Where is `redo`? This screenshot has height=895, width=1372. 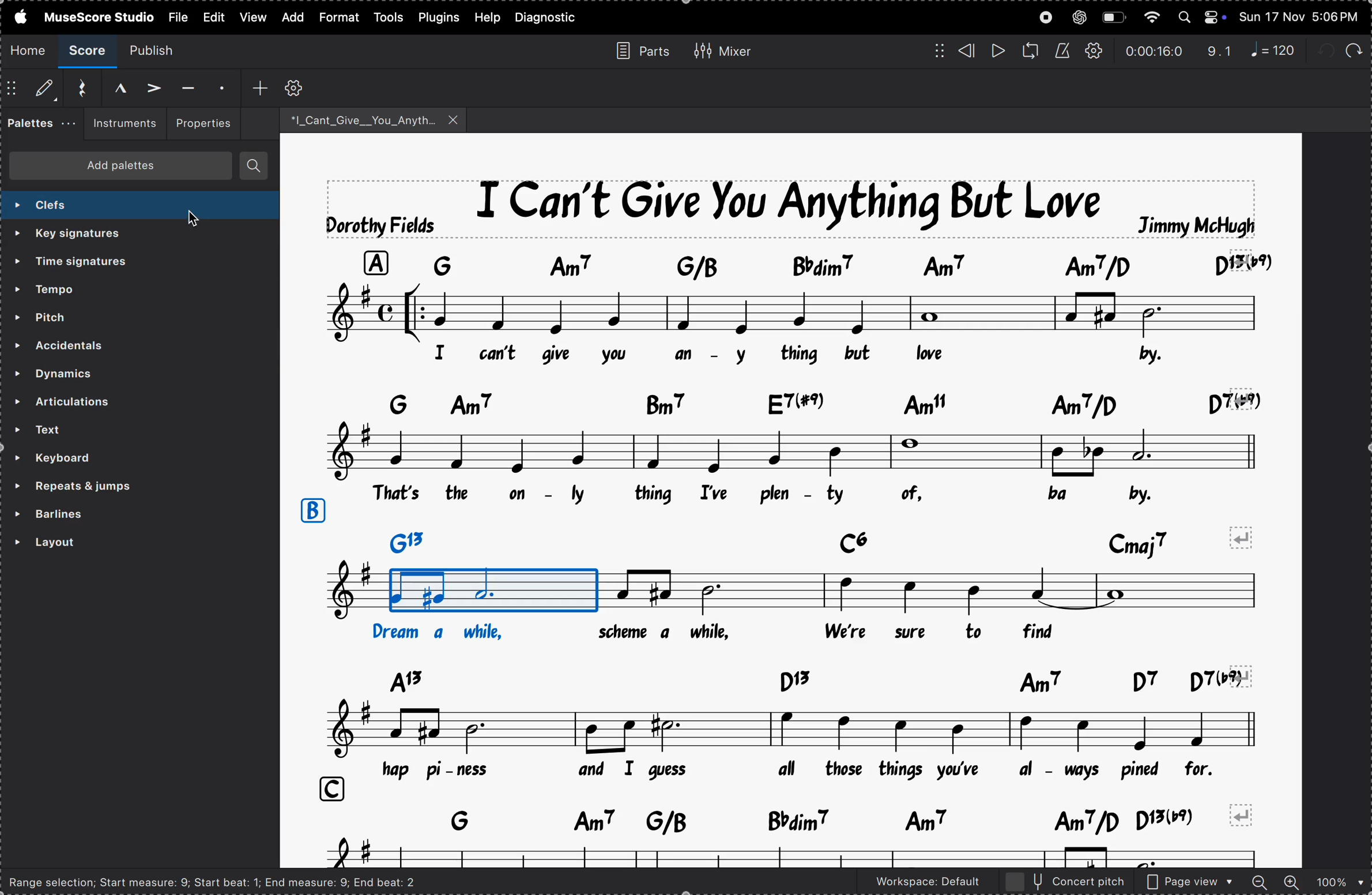
redo is located at coordinates (1352, 48).